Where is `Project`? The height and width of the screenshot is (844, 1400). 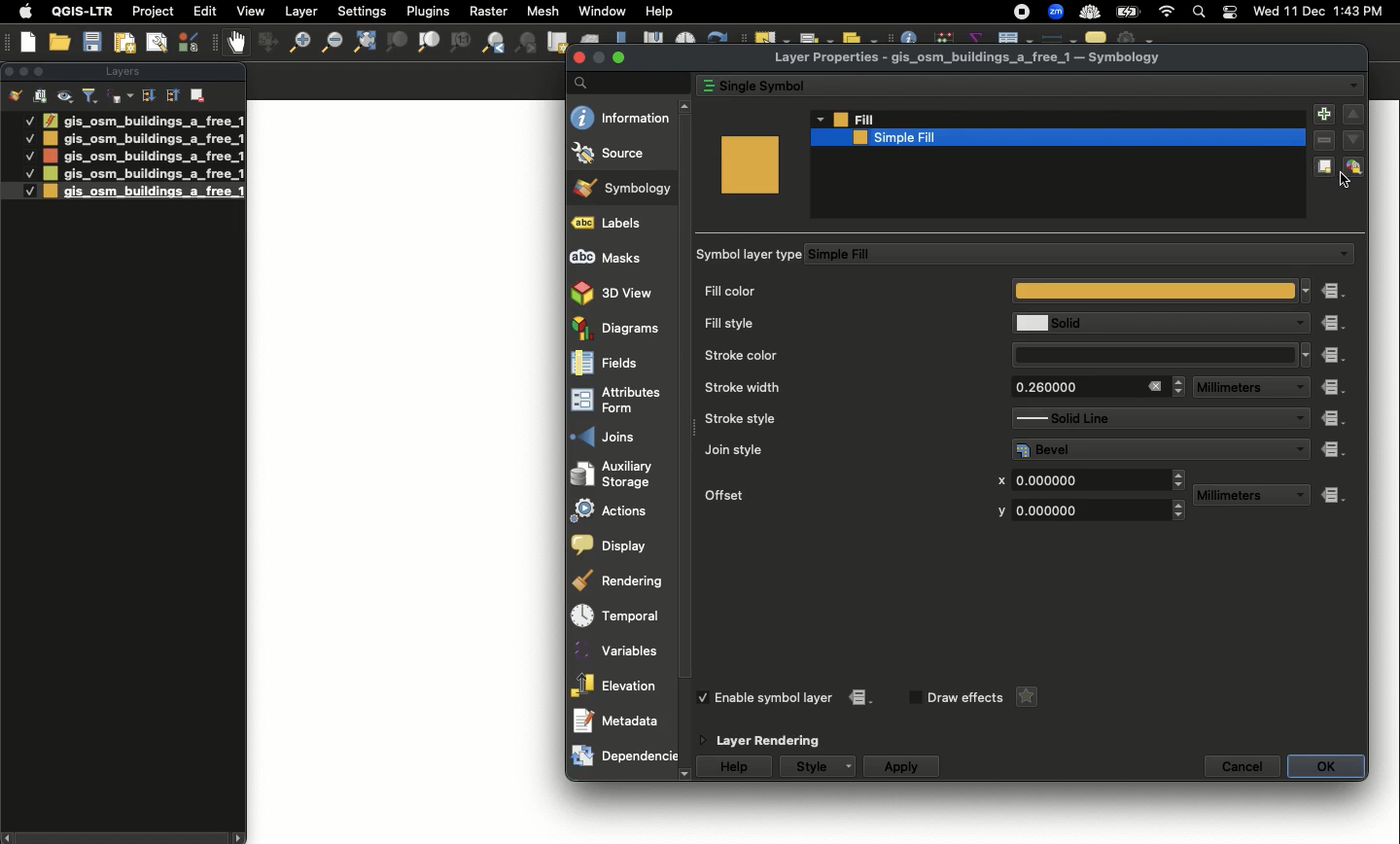 Project is located at coordinates (153, 13).